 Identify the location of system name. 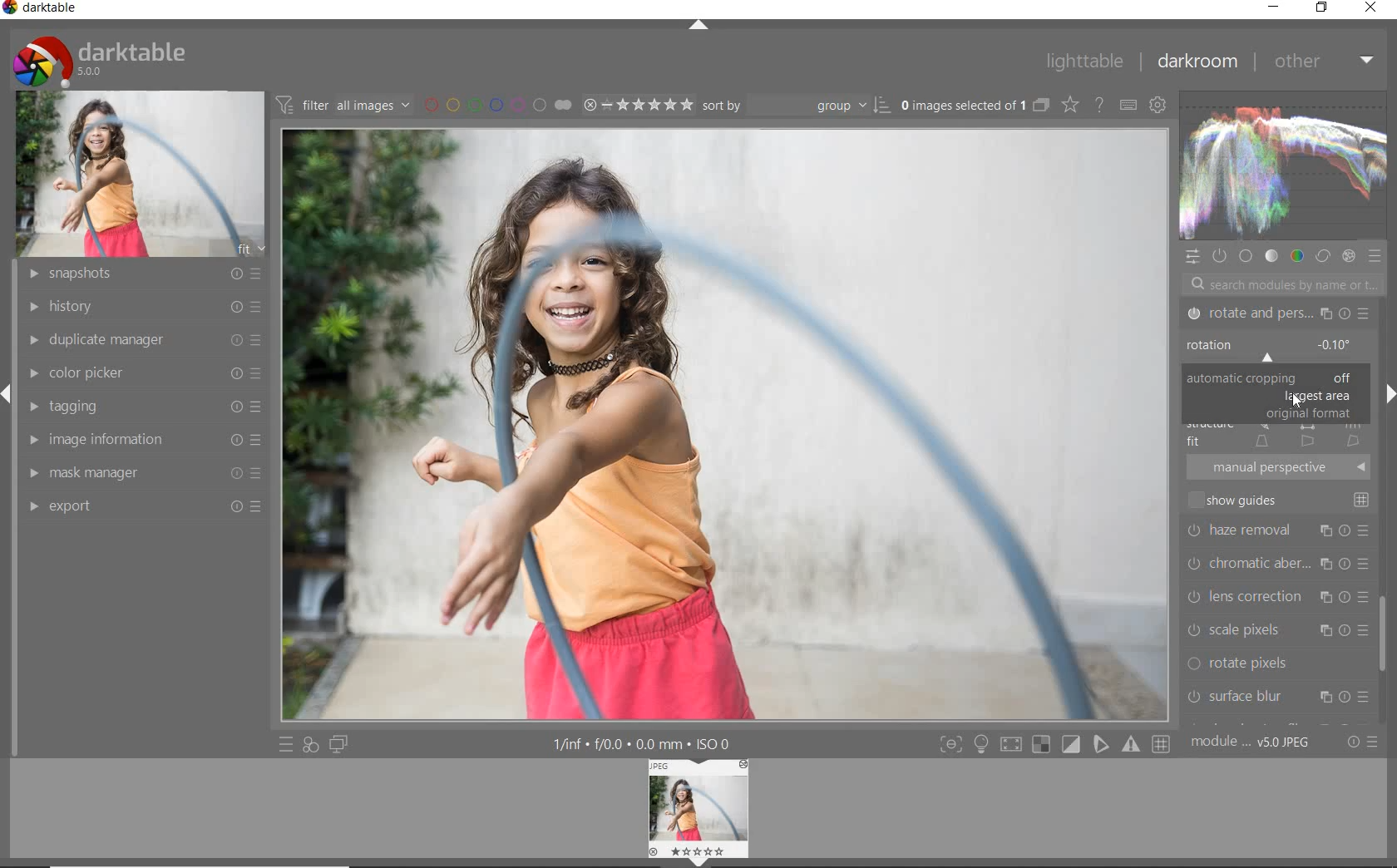
(42, 10).